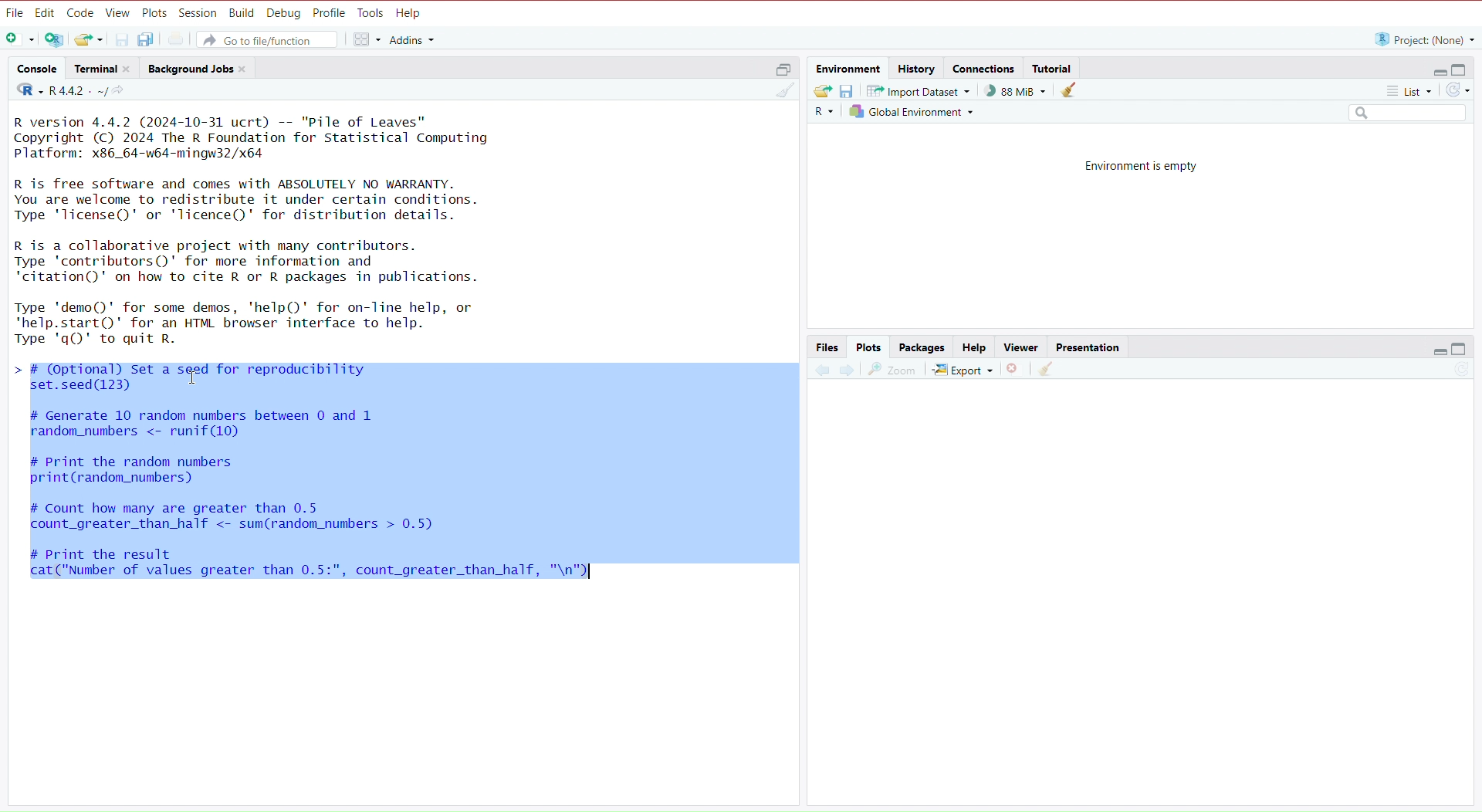 This screenshot has width=1482, height=812. Describe the element at coordinates (22, 40) in the screenshot. I see `Open new file` at that location.